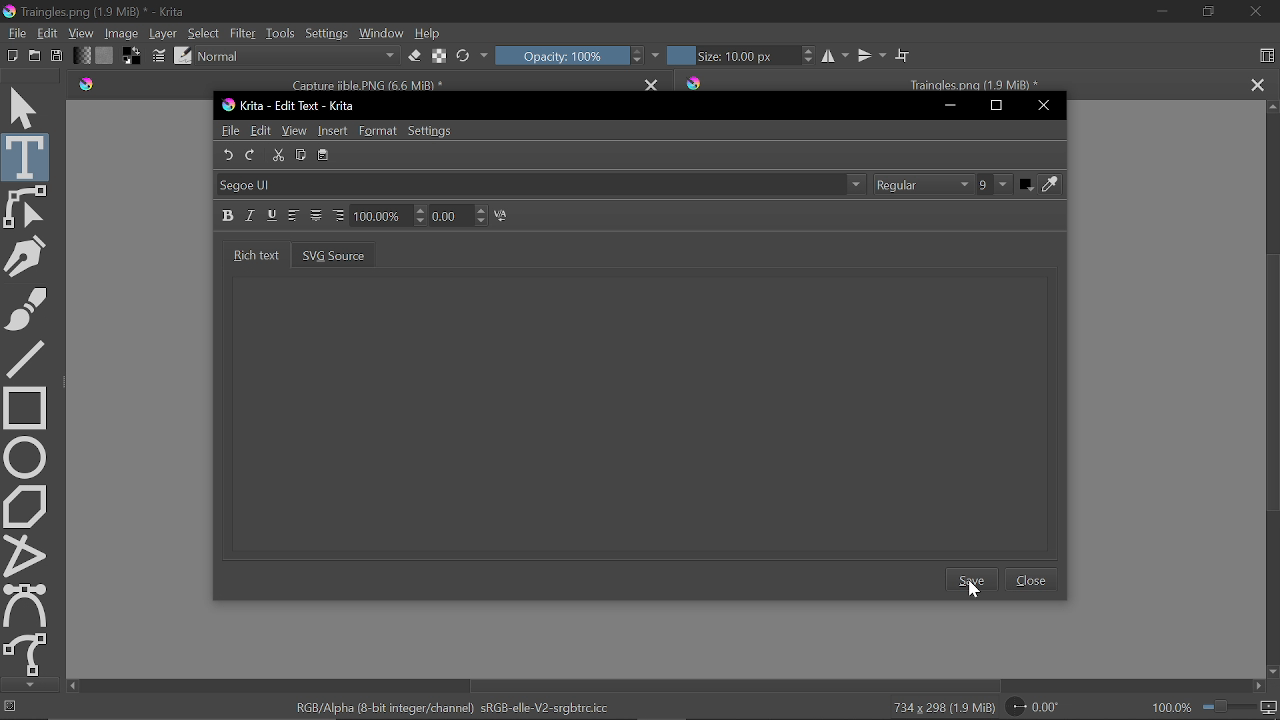  Describe the element at coordinates (317, 217) in the screenshot. I see `Align center` at that location.